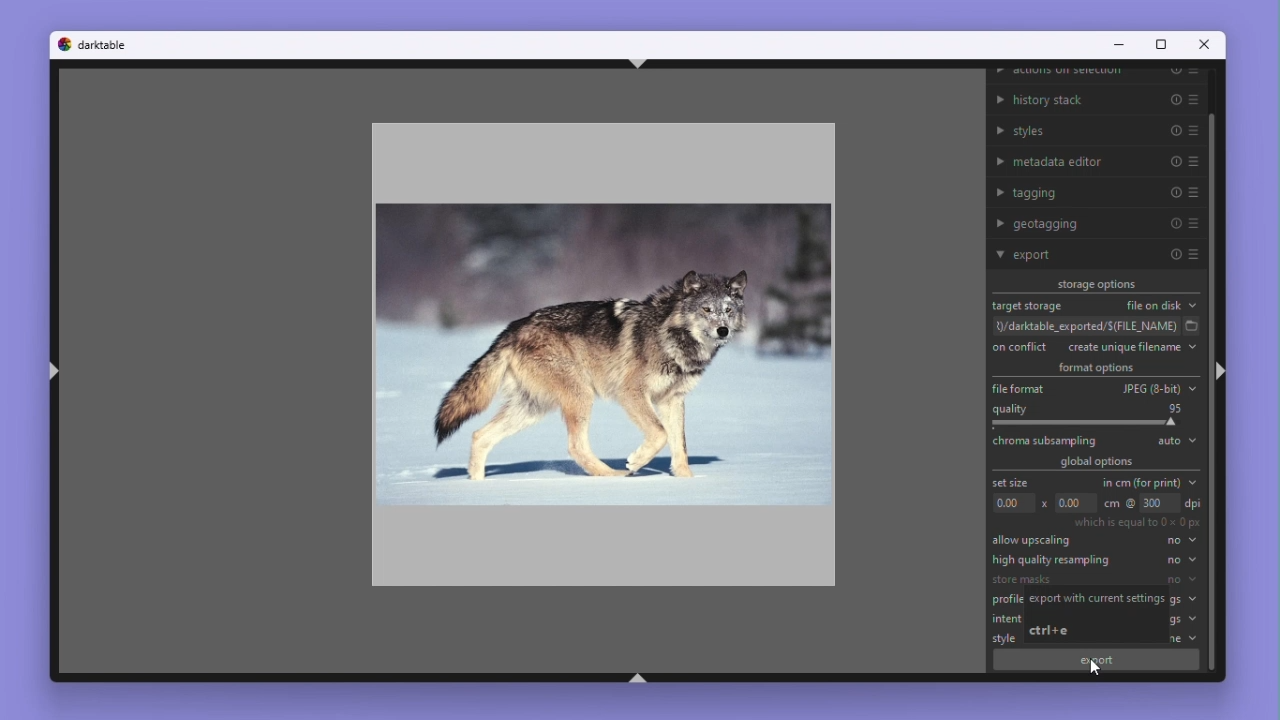 Image resolution: width=1280 pixels, height=720 pixels. Describe the element at coordinates (1095, 223) in the screenshot. I see `Geo tagging` at that location.